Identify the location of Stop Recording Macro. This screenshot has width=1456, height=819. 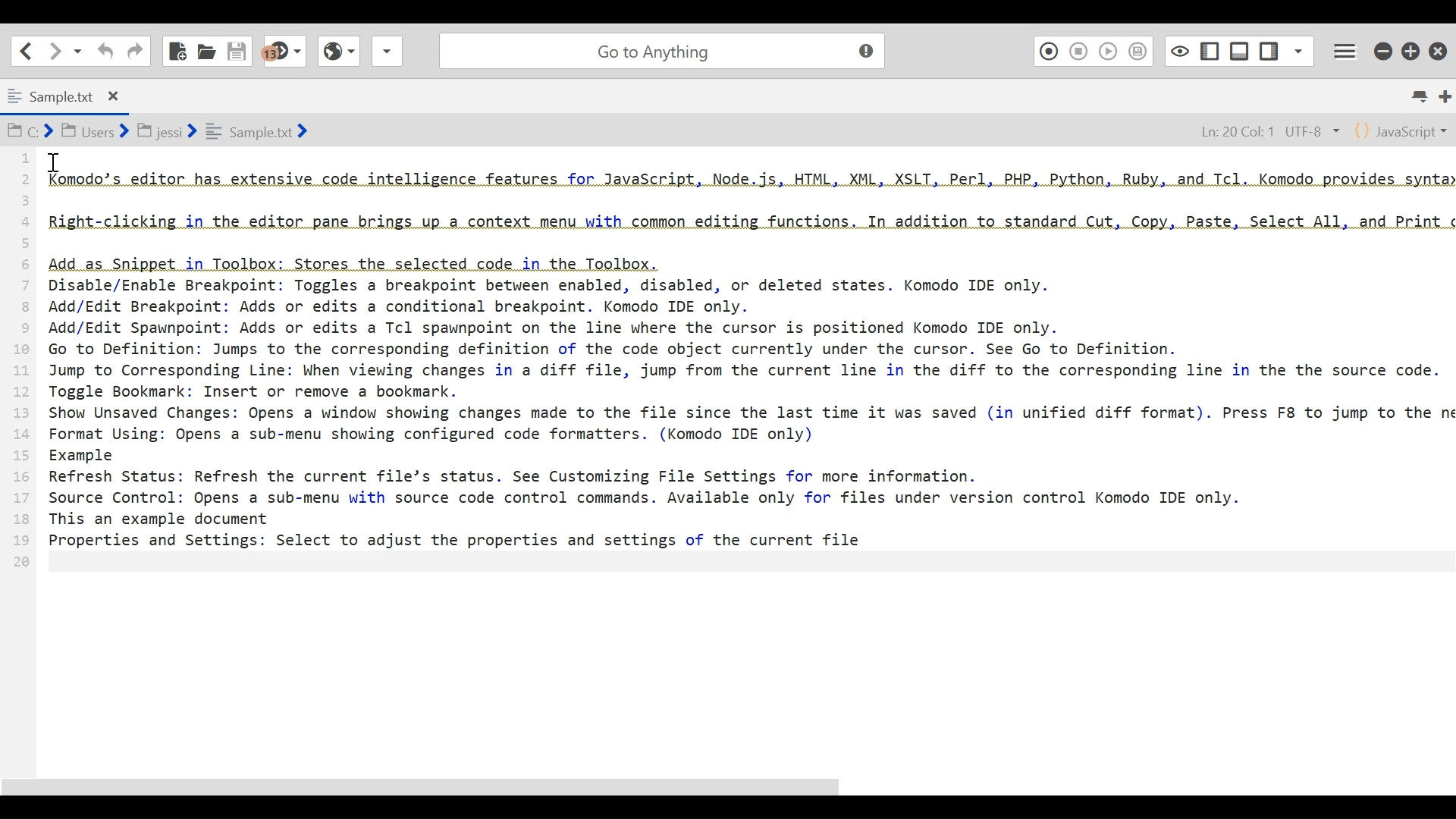
(1079, 51).